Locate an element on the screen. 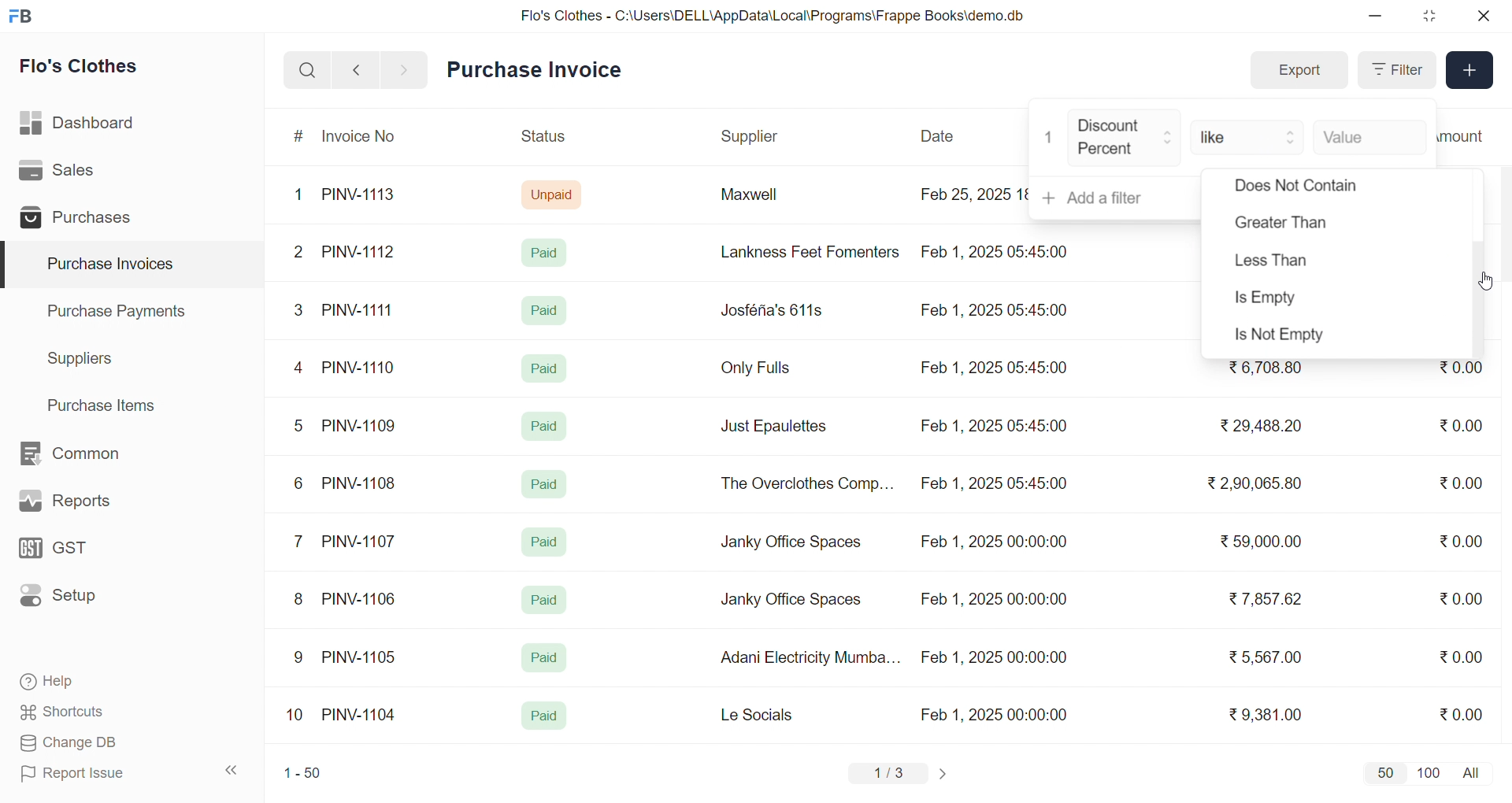 Image resolution: width=1512 pixels, height=803 pixels. Setup is located at coordinates (82, 601).